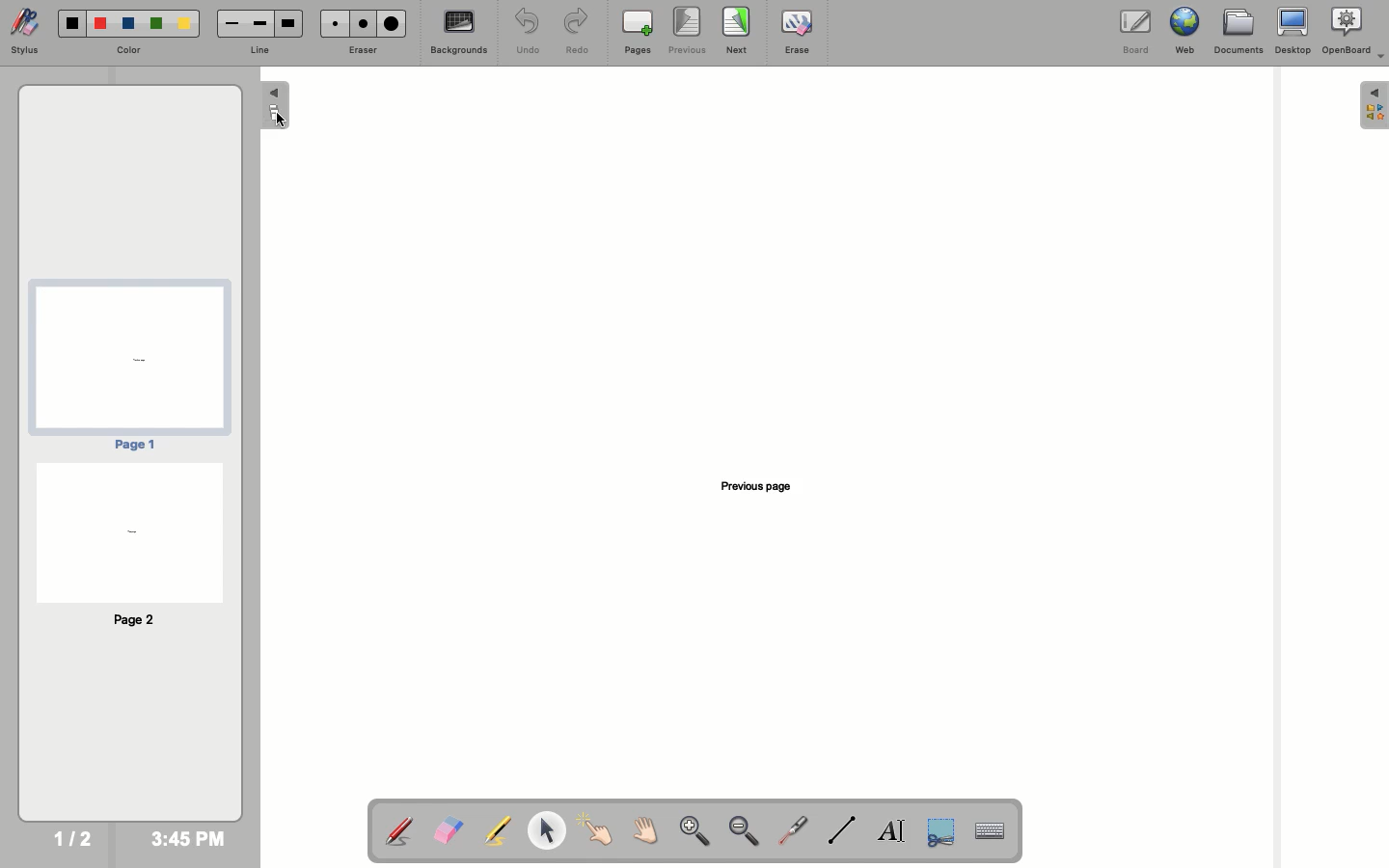 The image size is (1389, 868). Describe the element at coordinates (279, 122) in the screenshot. I see `cursor` at that location.